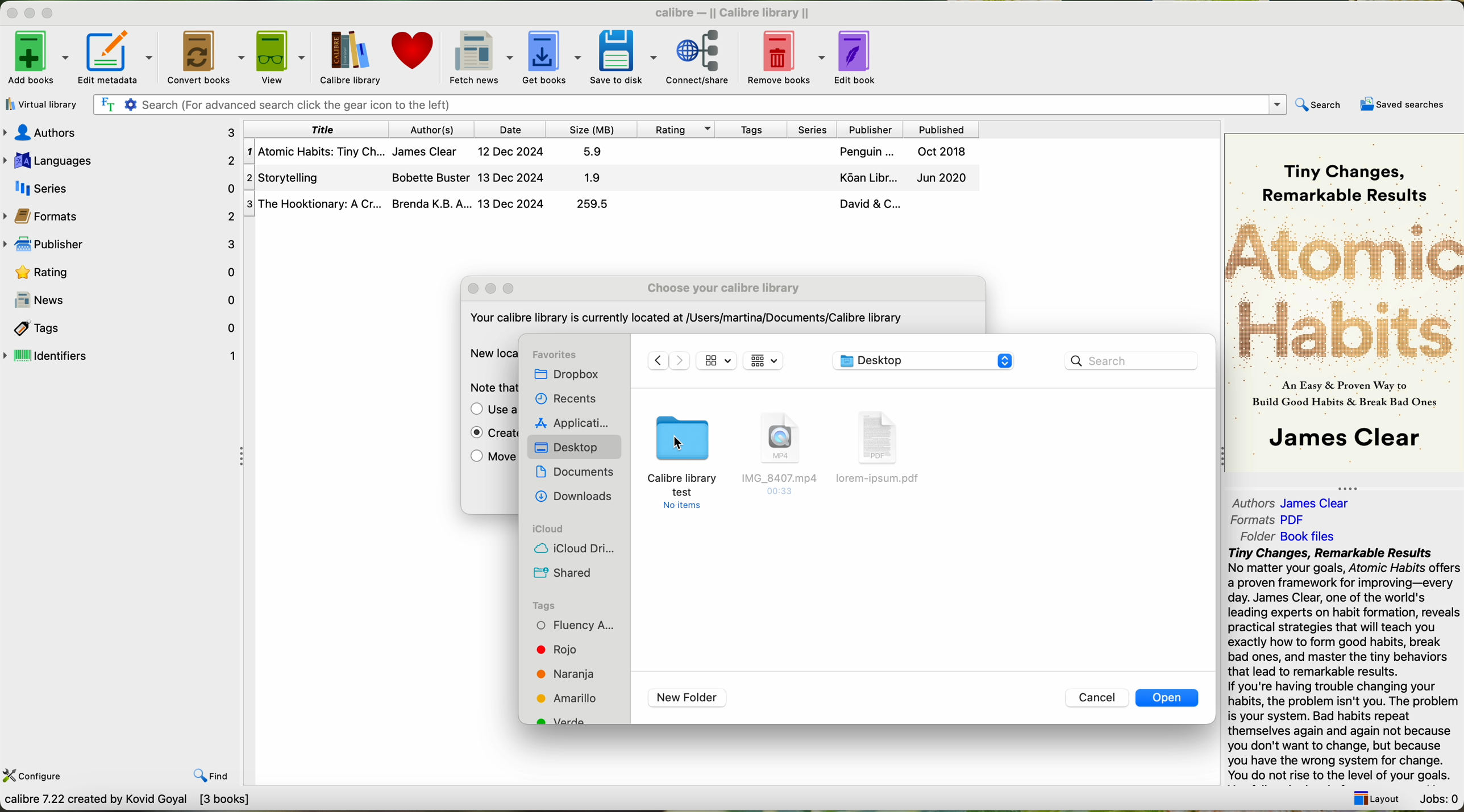 Image resolution: width=1464 pixels, height=812 pixels. Describe the element at coordinates (1098, 698) in the screenshot. I see `cancel` at that location.